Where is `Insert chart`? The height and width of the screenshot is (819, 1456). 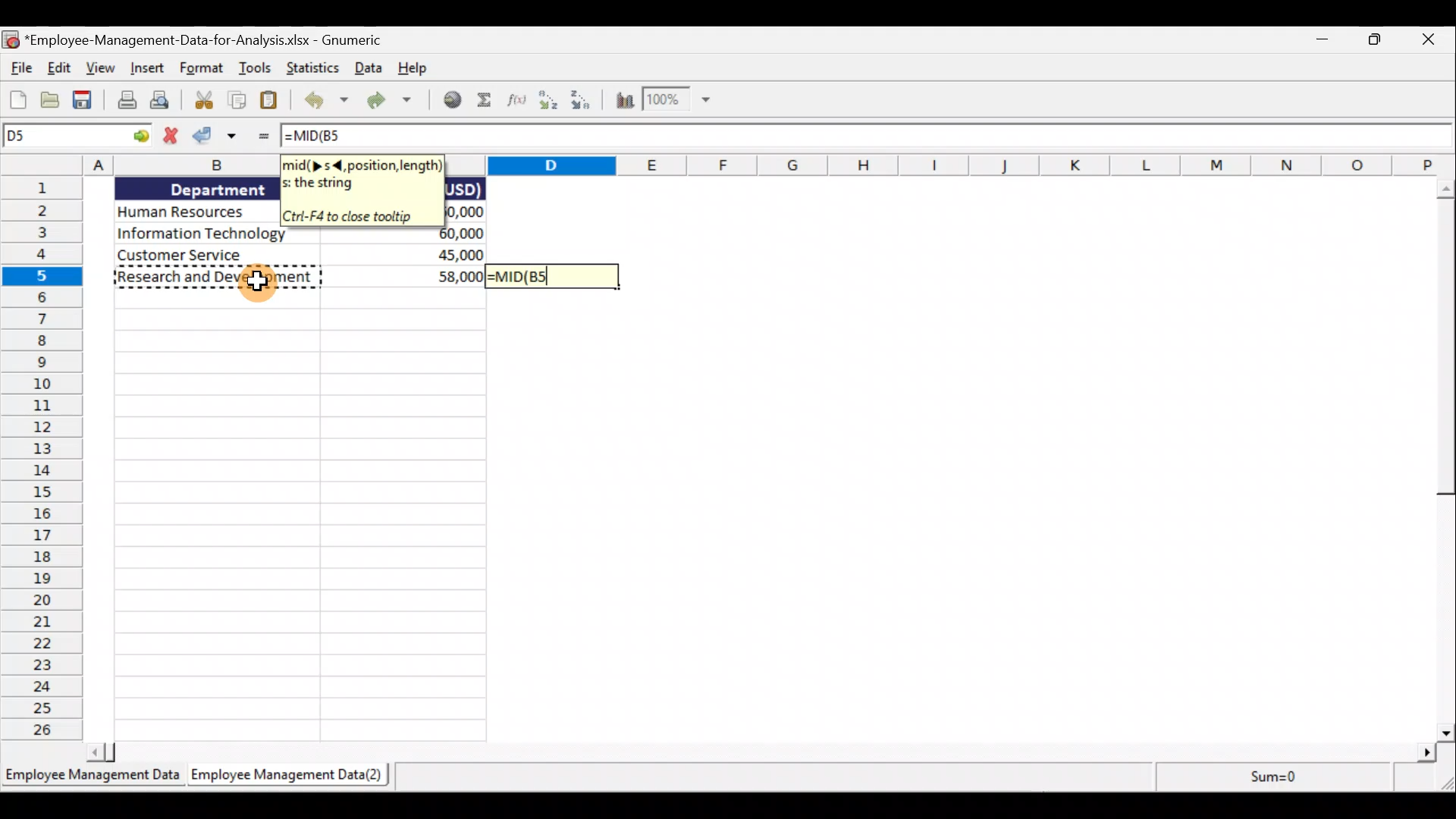
Insert chart is located at coordinates (626, 102).